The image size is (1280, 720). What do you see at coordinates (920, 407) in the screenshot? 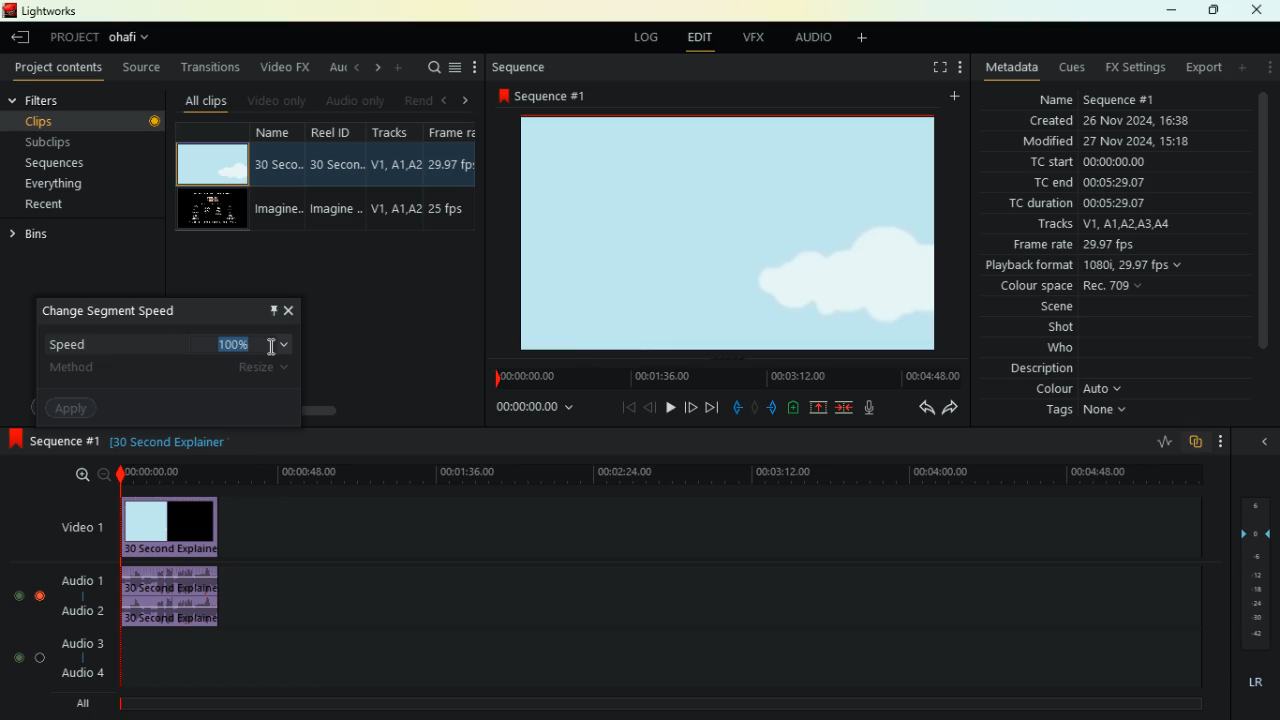
I see `back` at bounding box center [920, 407].